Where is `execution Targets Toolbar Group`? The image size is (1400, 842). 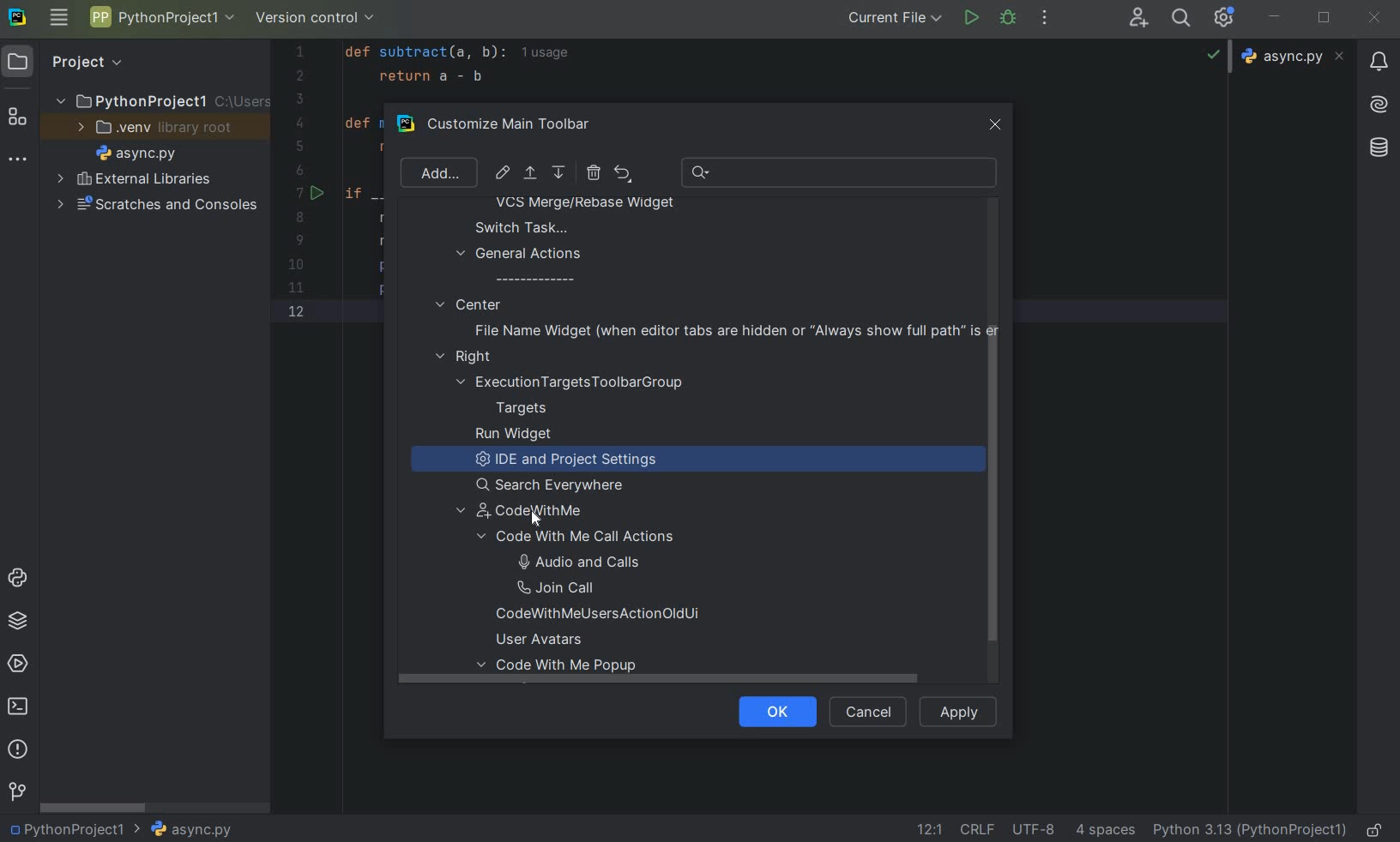
execution Targets Toolbar Group is located at coordinates (573, 382).